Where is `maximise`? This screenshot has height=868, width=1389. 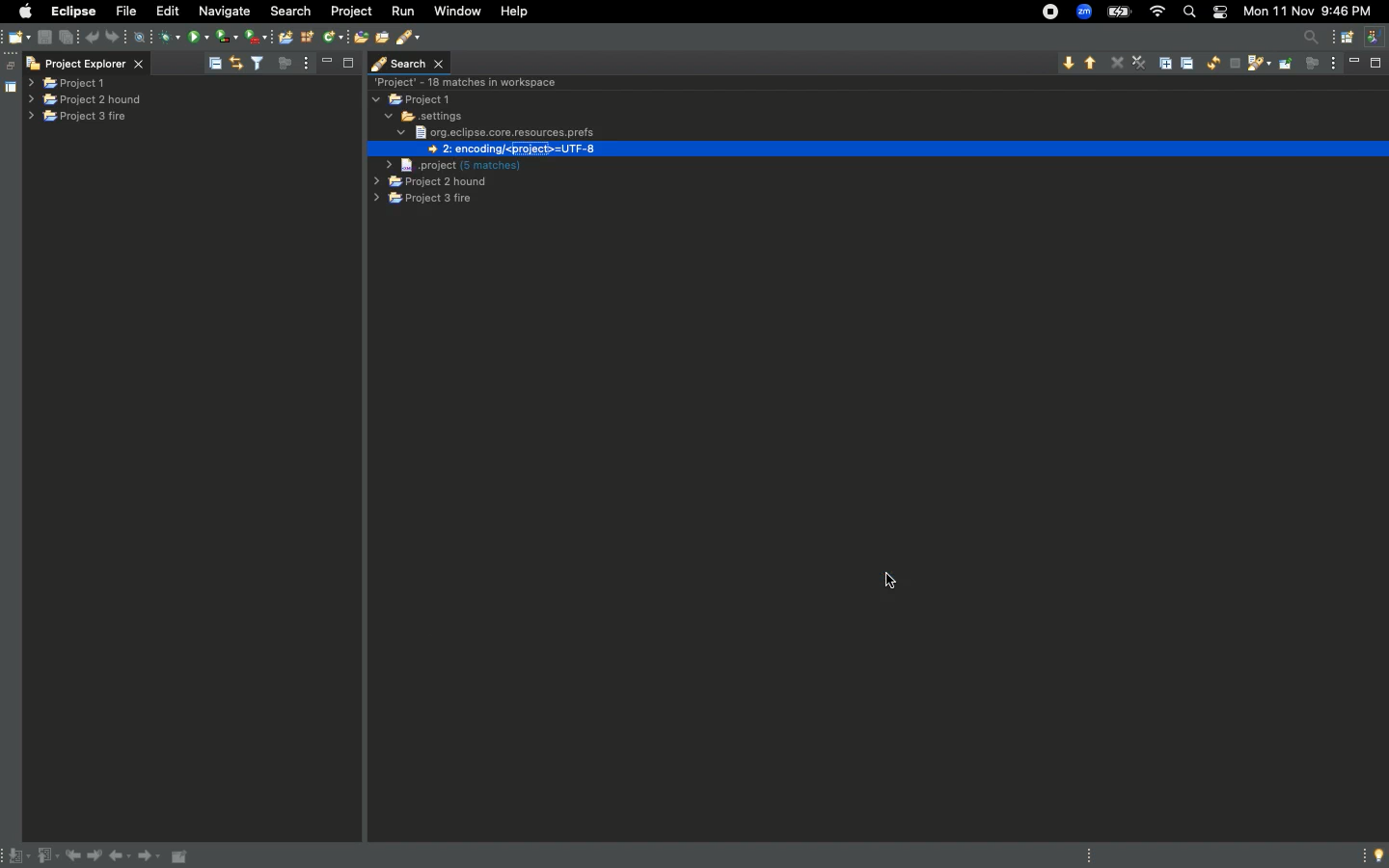 maximise is located at coordinates (347, 66).